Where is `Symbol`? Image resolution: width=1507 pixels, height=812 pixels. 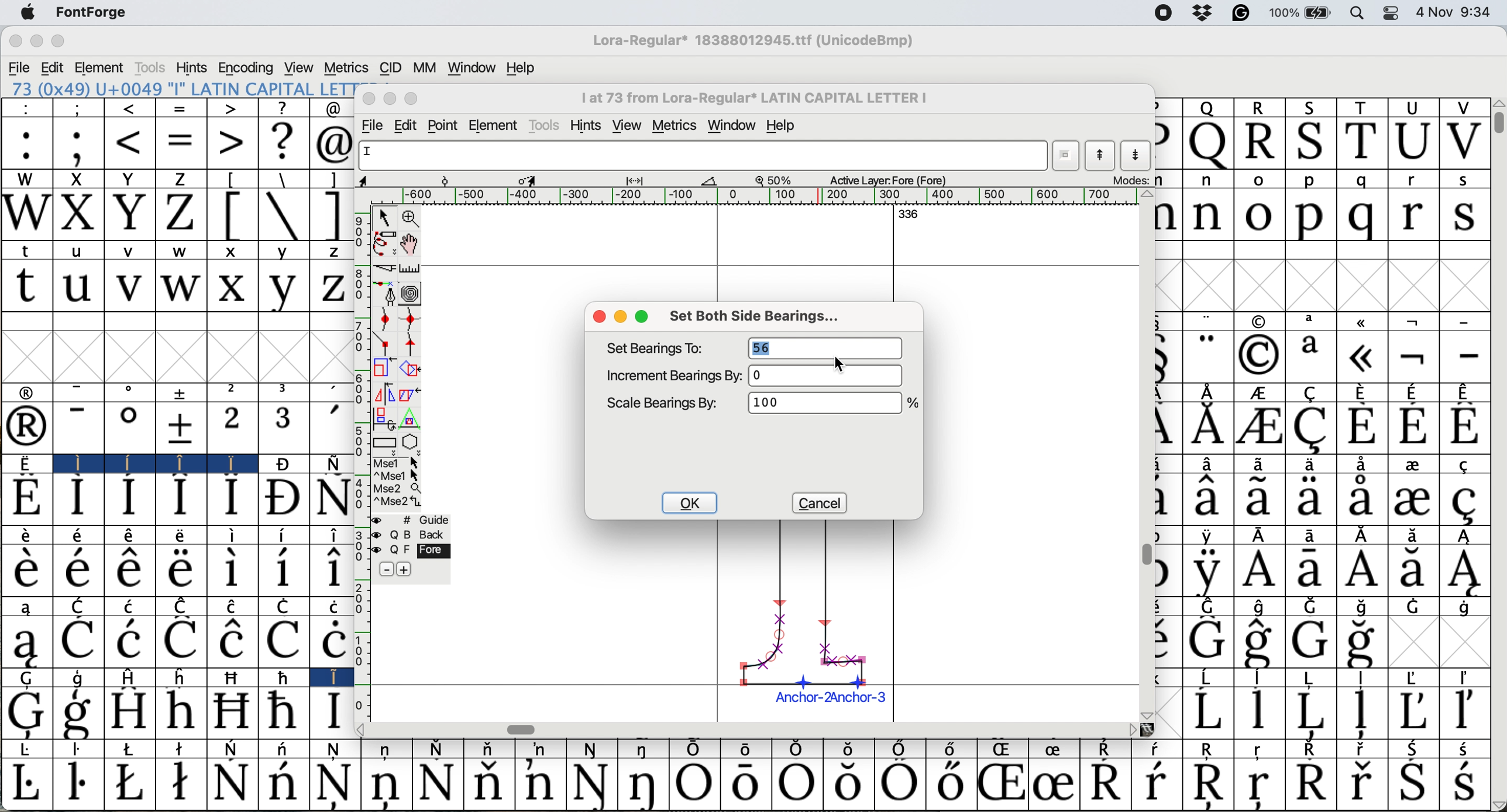 Symbol is located at coordinates (1210, 605).